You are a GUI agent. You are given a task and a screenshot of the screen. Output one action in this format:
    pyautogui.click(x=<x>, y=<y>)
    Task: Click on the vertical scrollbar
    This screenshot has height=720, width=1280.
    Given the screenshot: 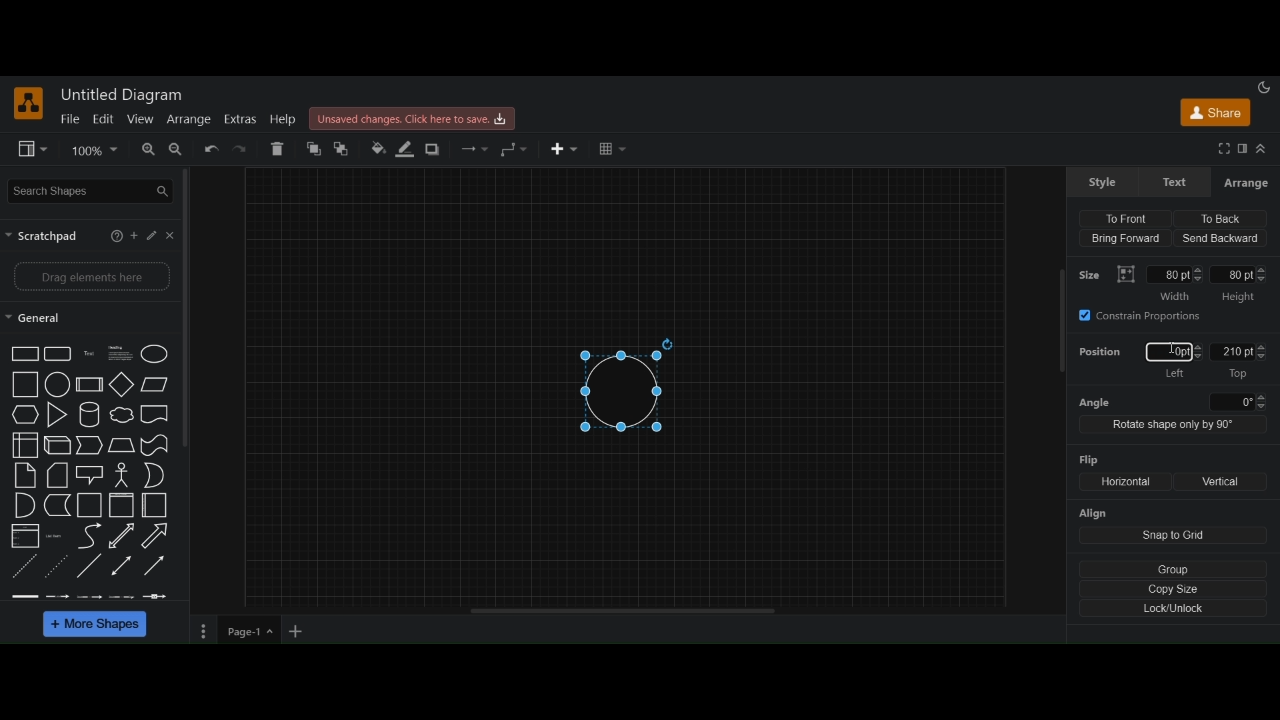 What is the action you would take?
    pyautogui.click(x=1058, y=319)
    